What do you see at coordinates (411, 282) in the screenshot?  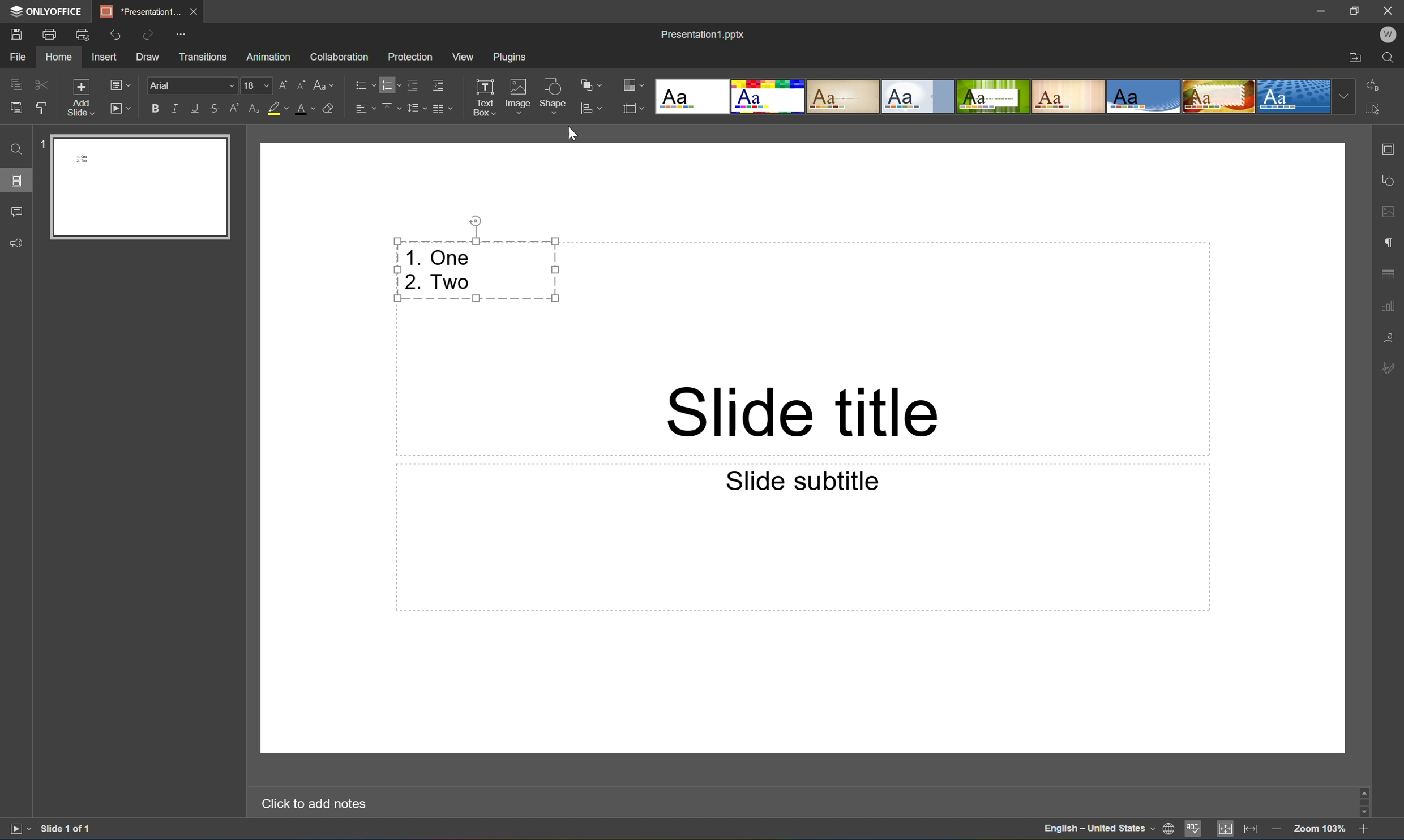 I see `2.` at bounding box center [411, 282].